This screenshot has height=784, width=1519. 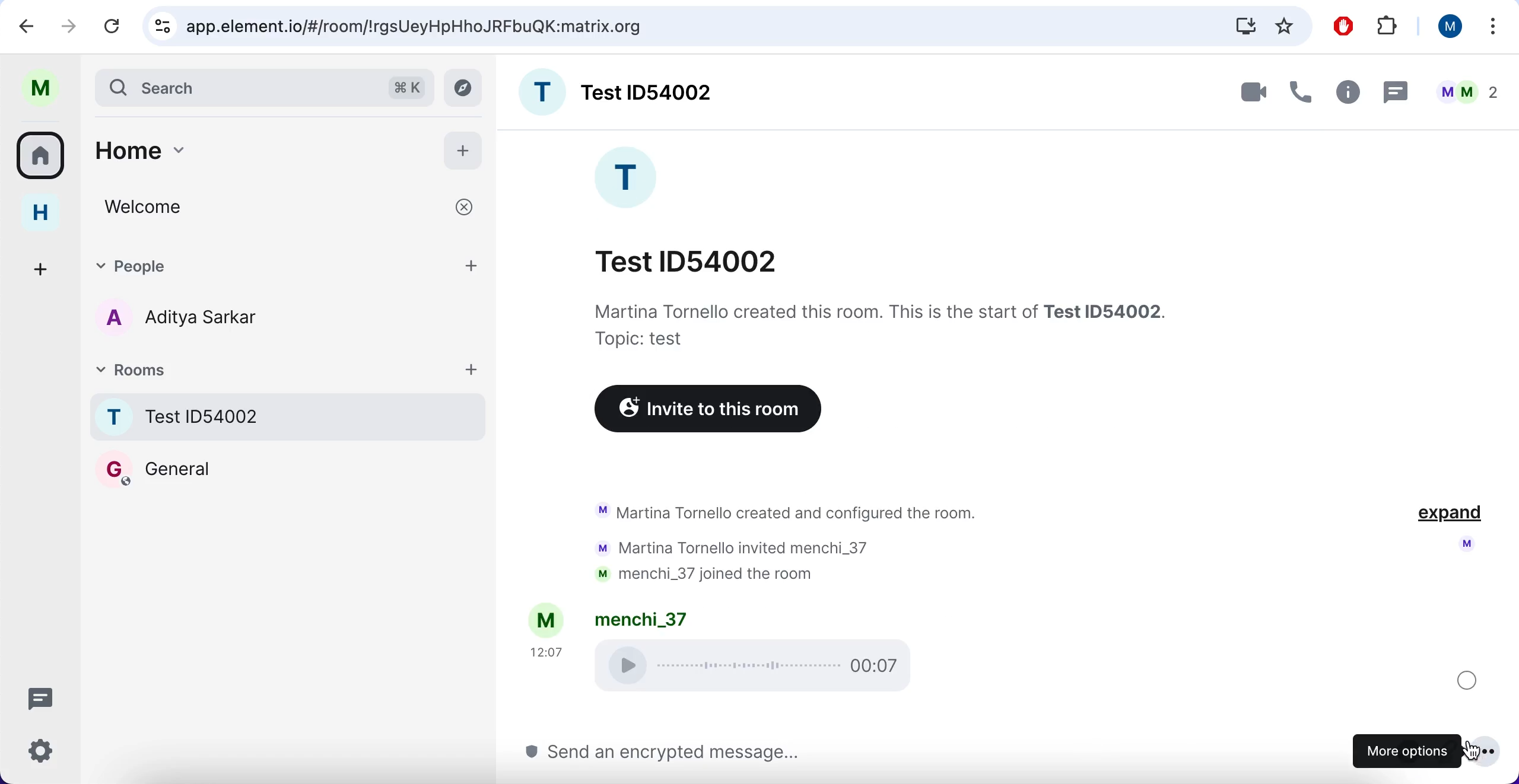 I want to click on user, so click(x=642, y=619).